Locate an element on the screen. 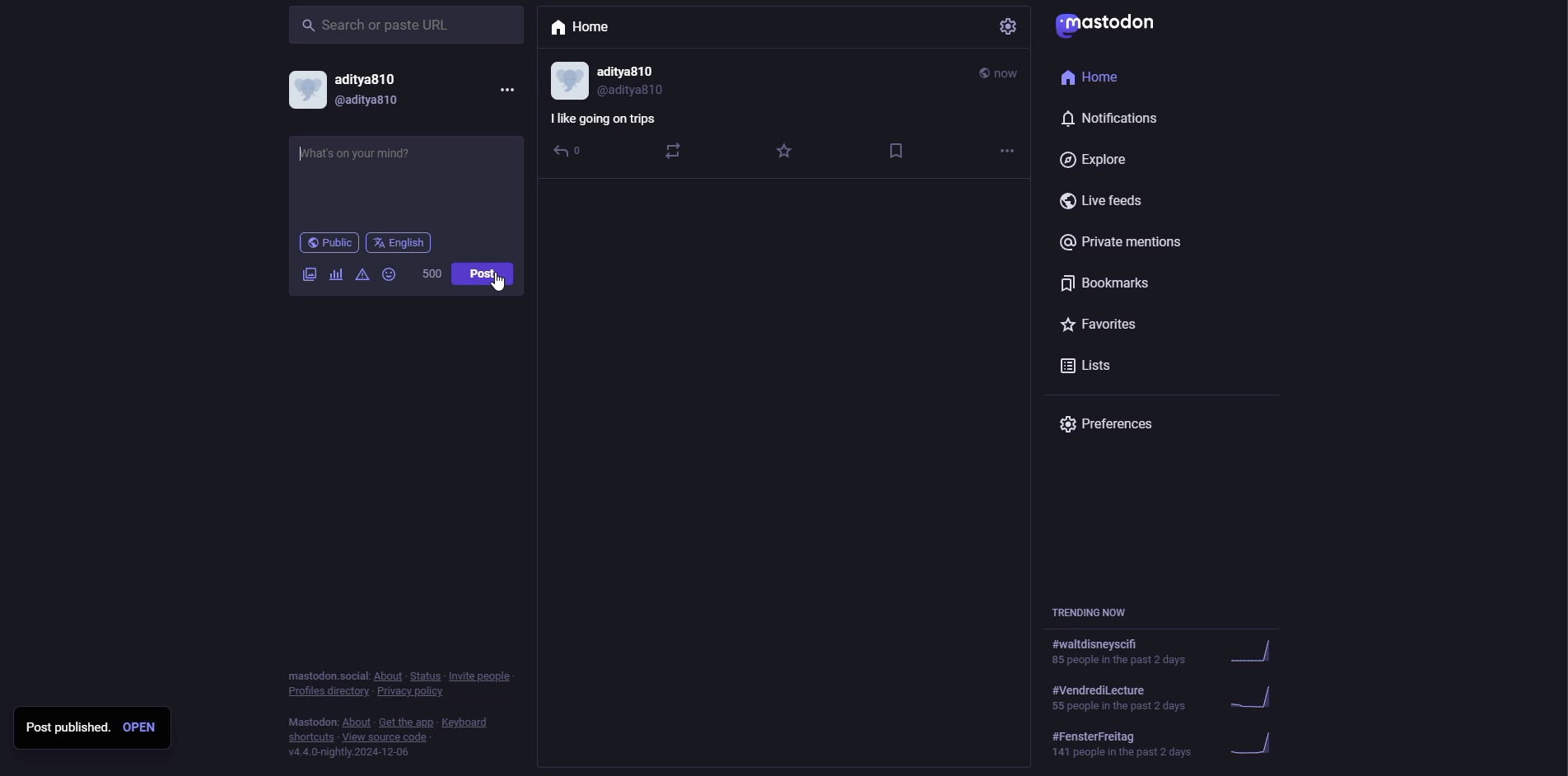  polls is located at coordinates (336, 274).